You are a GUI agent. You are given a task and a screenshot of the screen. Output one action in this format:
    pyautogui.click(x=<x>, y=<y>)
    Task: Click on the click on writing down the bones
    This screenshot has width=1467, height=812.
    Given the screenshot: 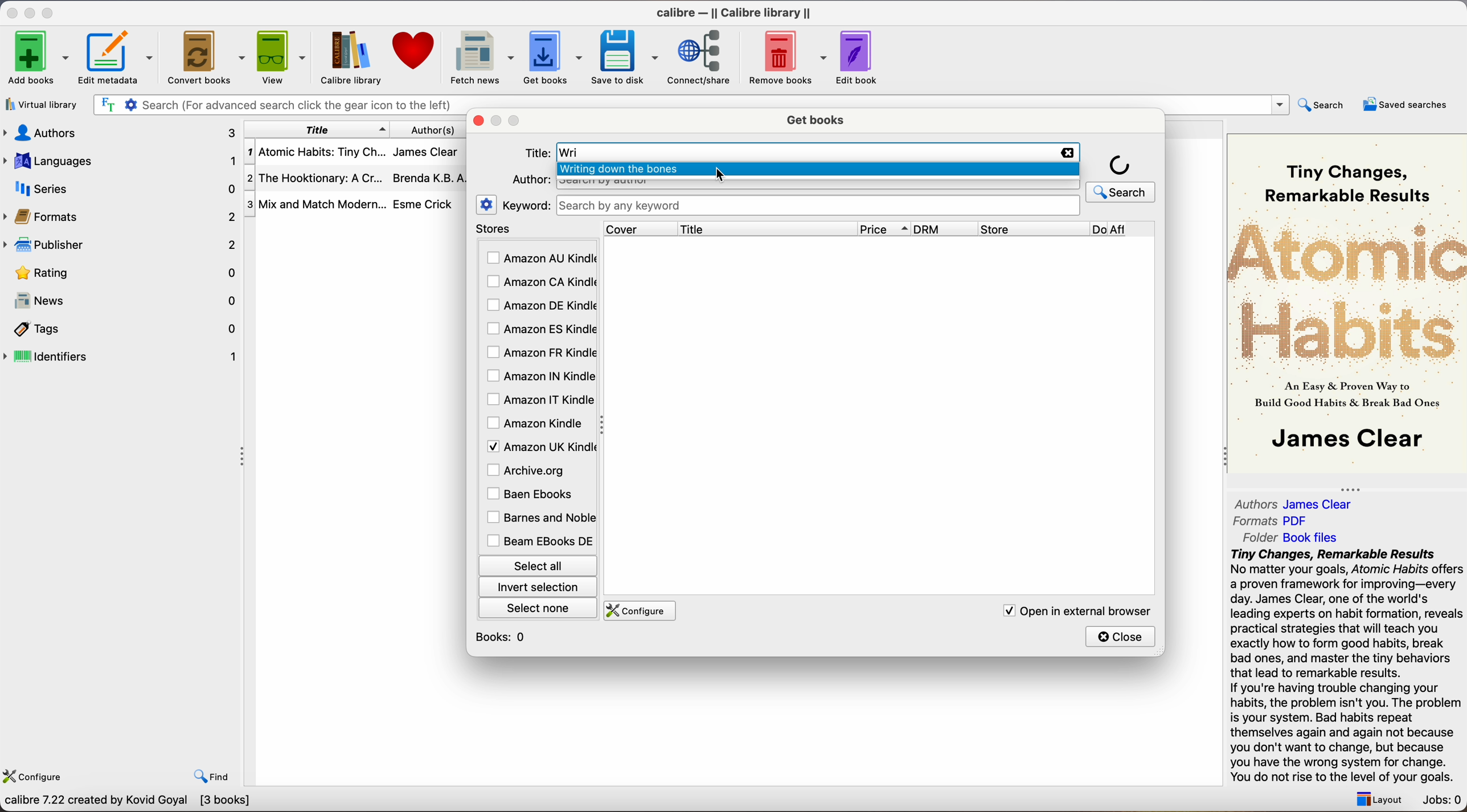 What is the action you would take?
    pyautogui.click(x=819, y=171)
    